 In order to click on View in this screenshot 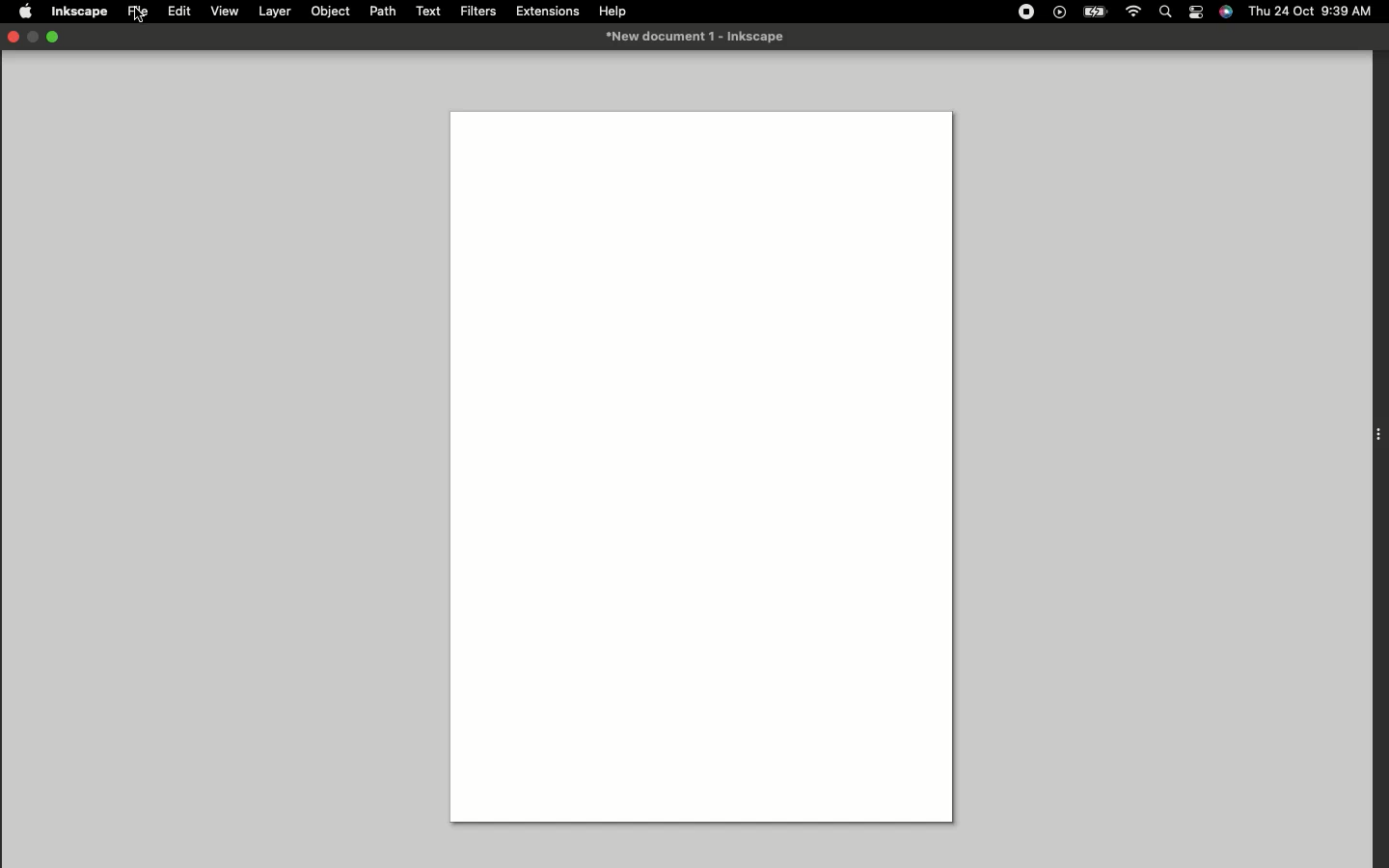, I will do `click(222, 11)`.